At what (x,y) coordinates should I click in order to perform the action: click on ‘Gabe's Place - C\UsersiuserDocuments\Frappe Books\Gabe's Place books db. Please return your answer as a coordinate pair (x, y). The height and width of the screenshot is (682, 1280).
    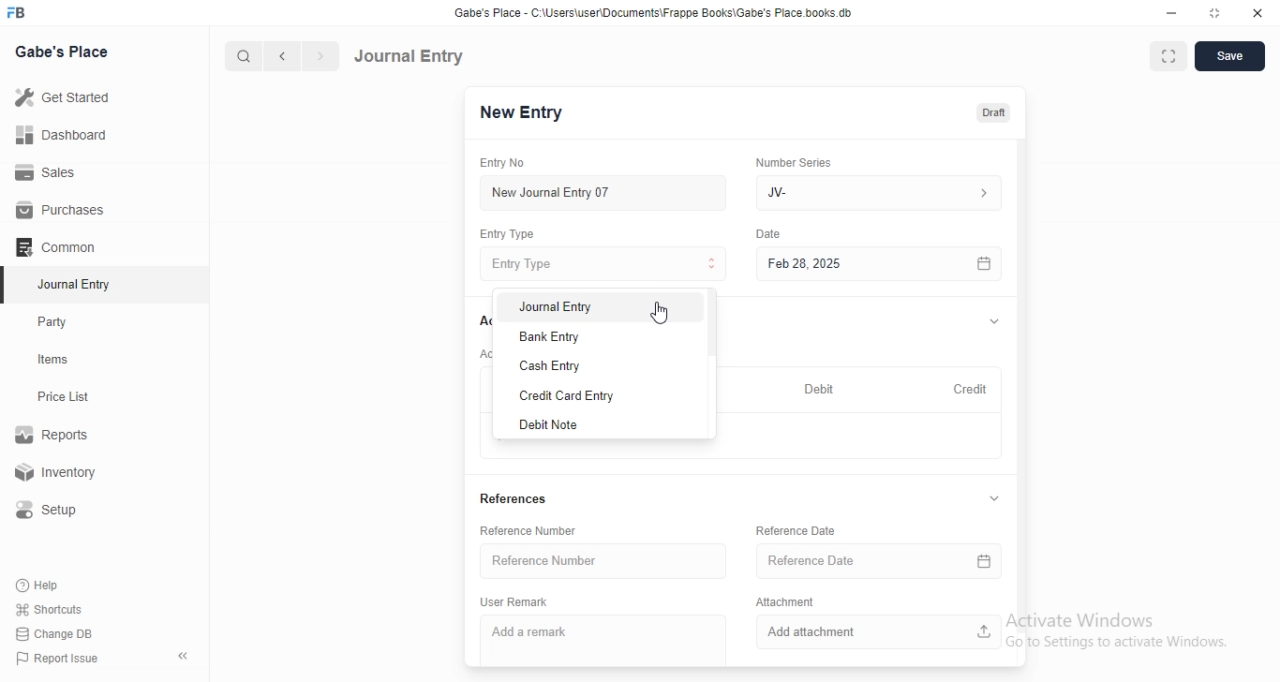
    Looking at the image, I should click on (653, 12).